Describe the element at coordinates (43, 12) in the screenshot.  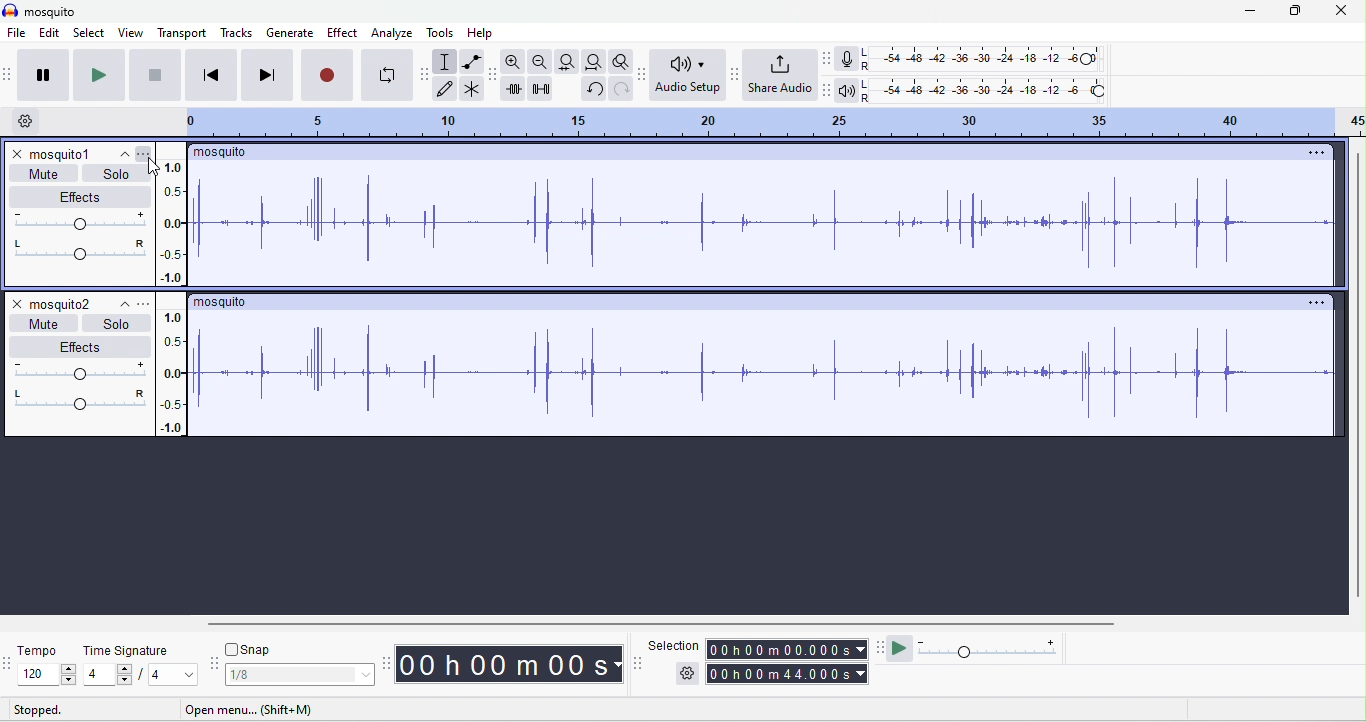
I see `mosquito` at that location.